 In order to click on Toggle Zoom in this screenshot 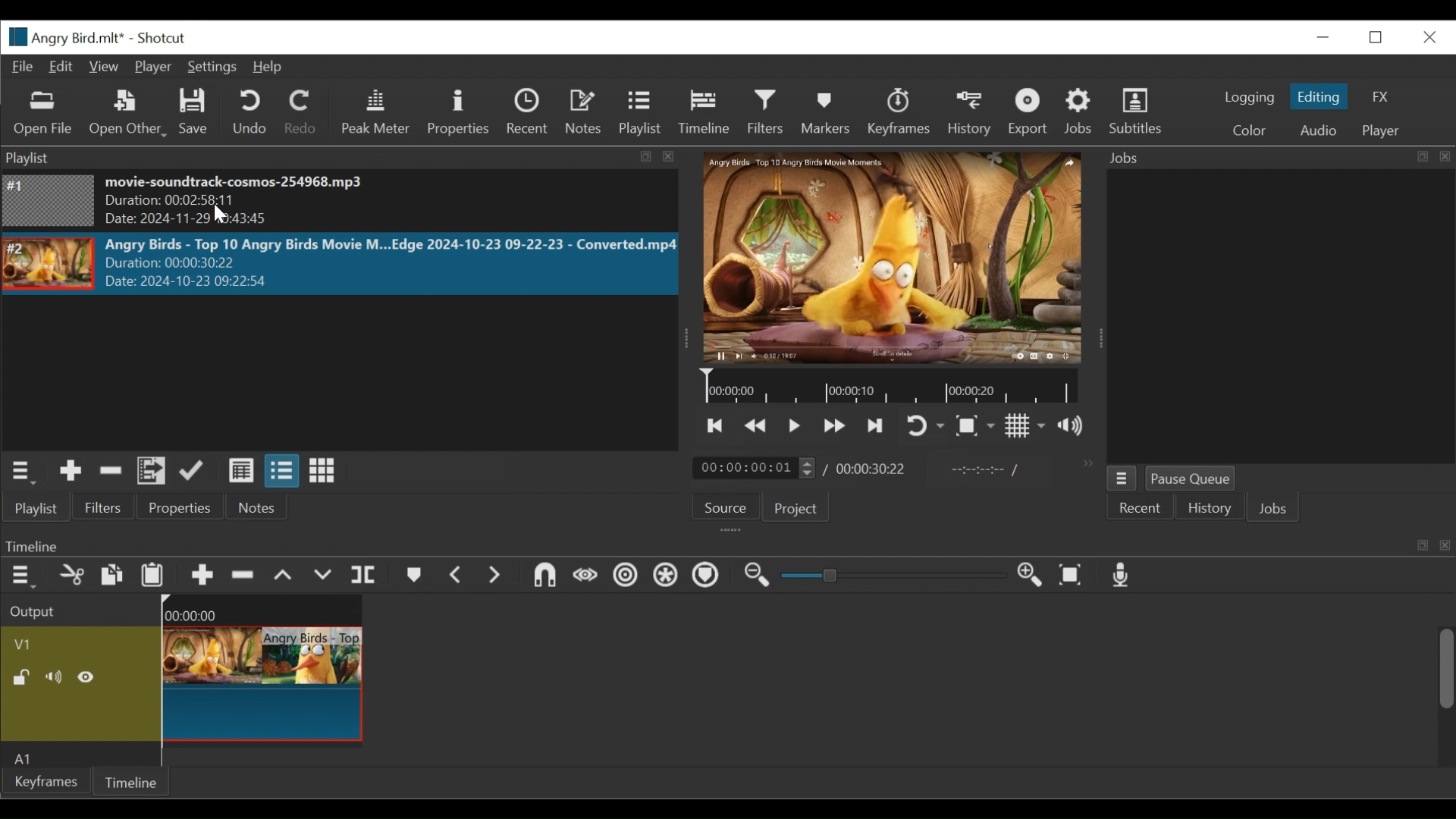, I will do `click(977, 427)`.